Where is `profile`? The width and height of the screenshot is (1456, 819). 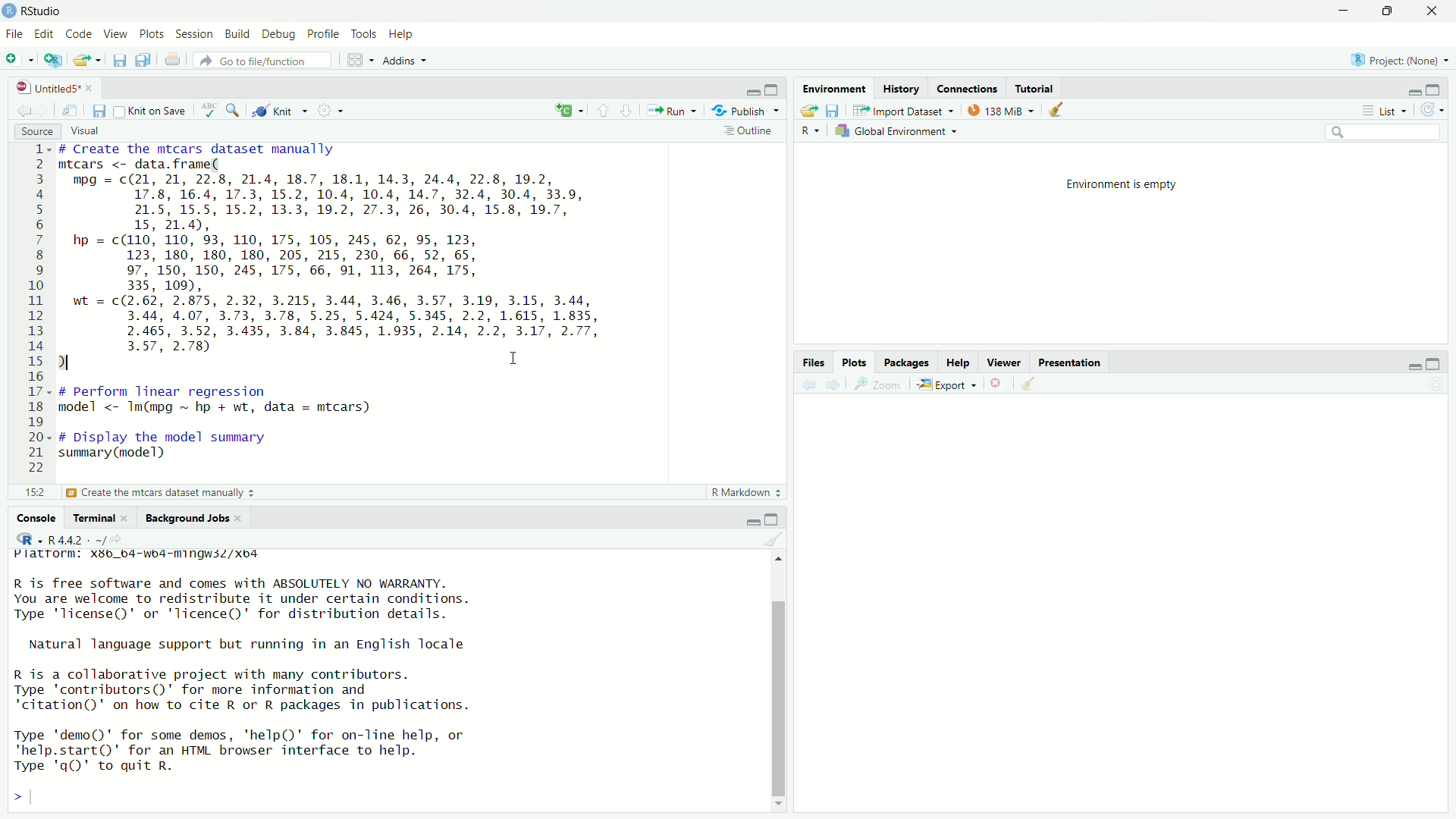 profile is located at coordinates (325, 33).